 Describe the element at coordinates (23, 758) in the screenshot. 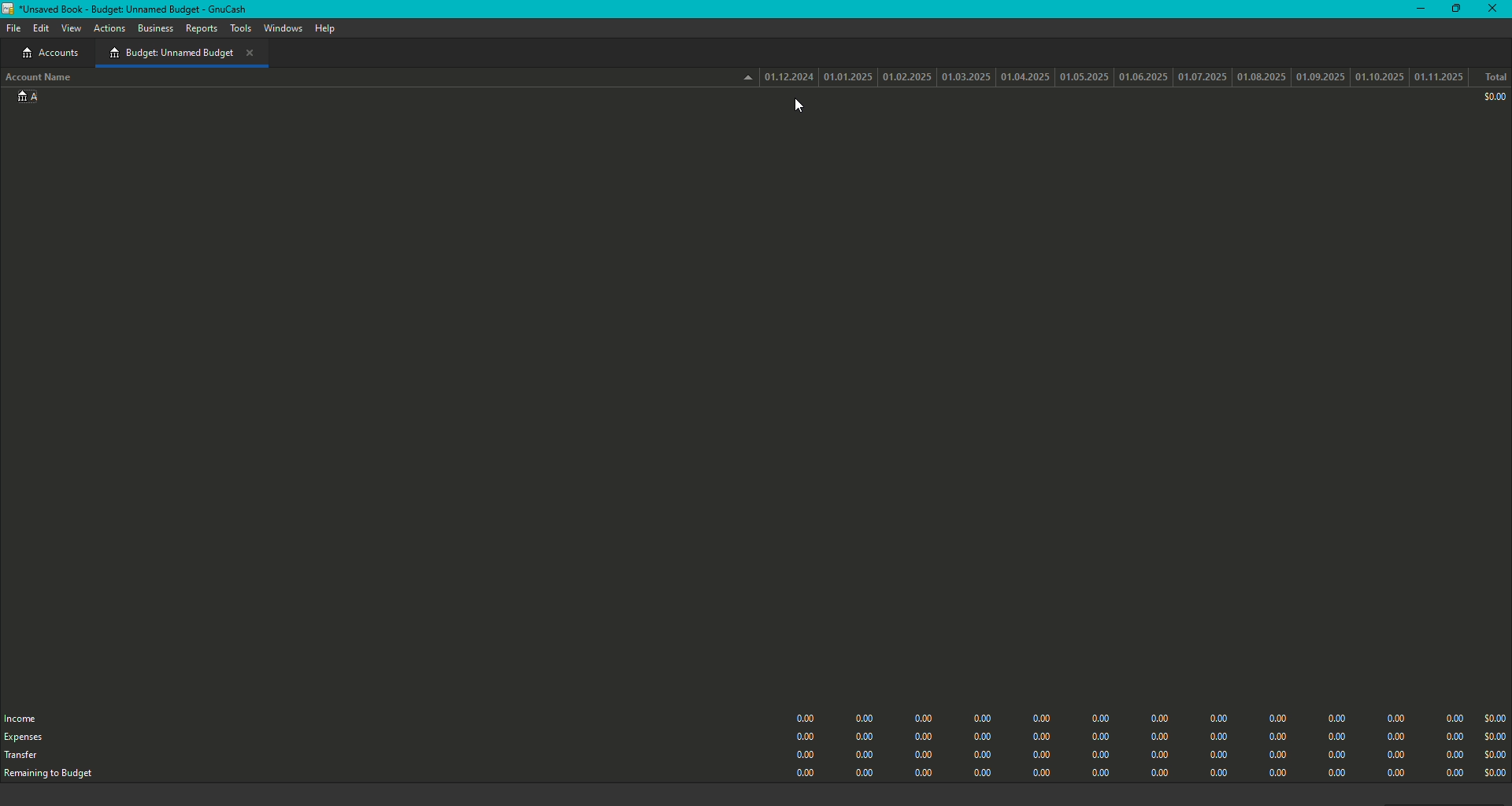

I see `Transfer` at that location.